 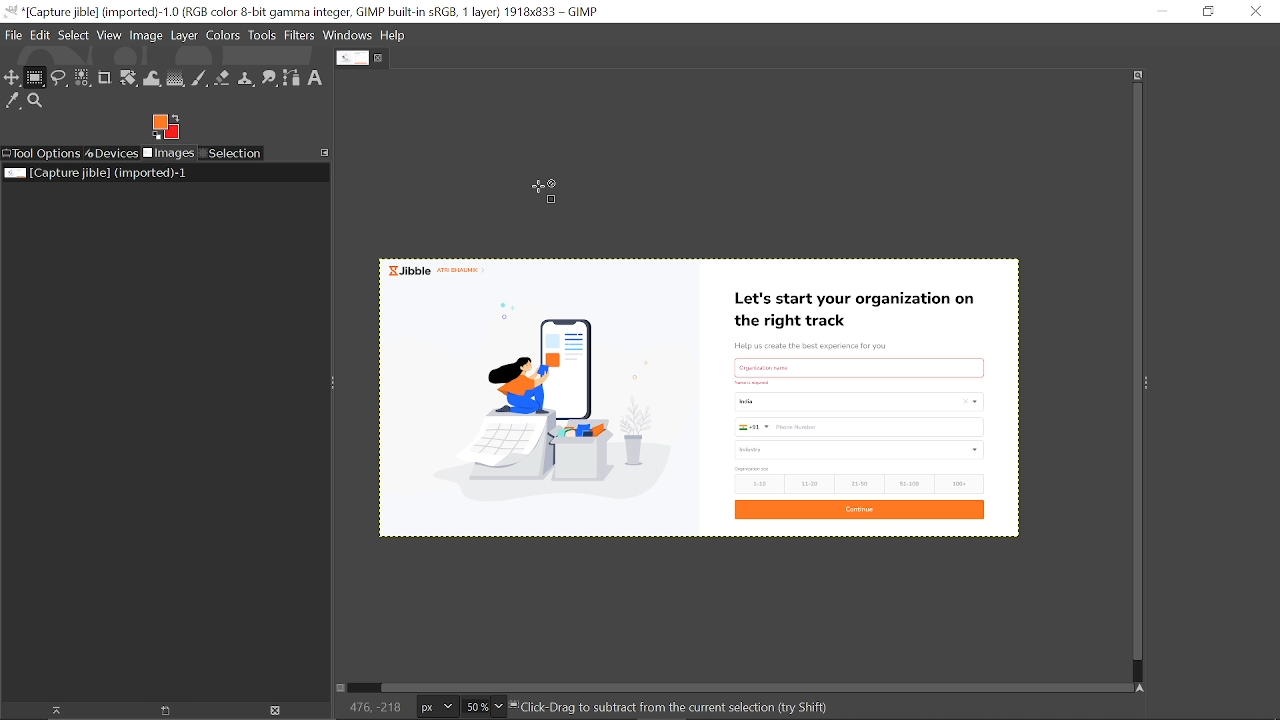 I want to click on Foreground tool, so click(x=165, y=127).